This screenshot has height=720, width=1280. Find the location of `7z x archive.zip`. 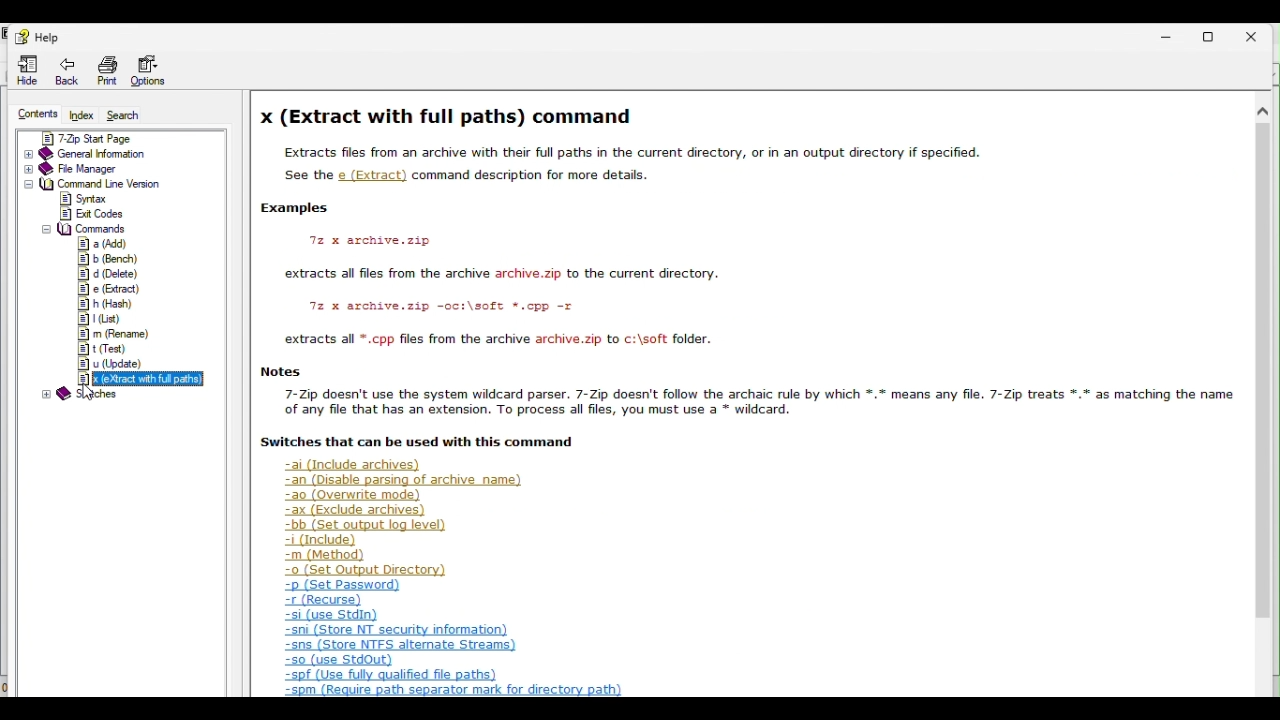

7z x archive.zip is located at coordinates (380, 241).